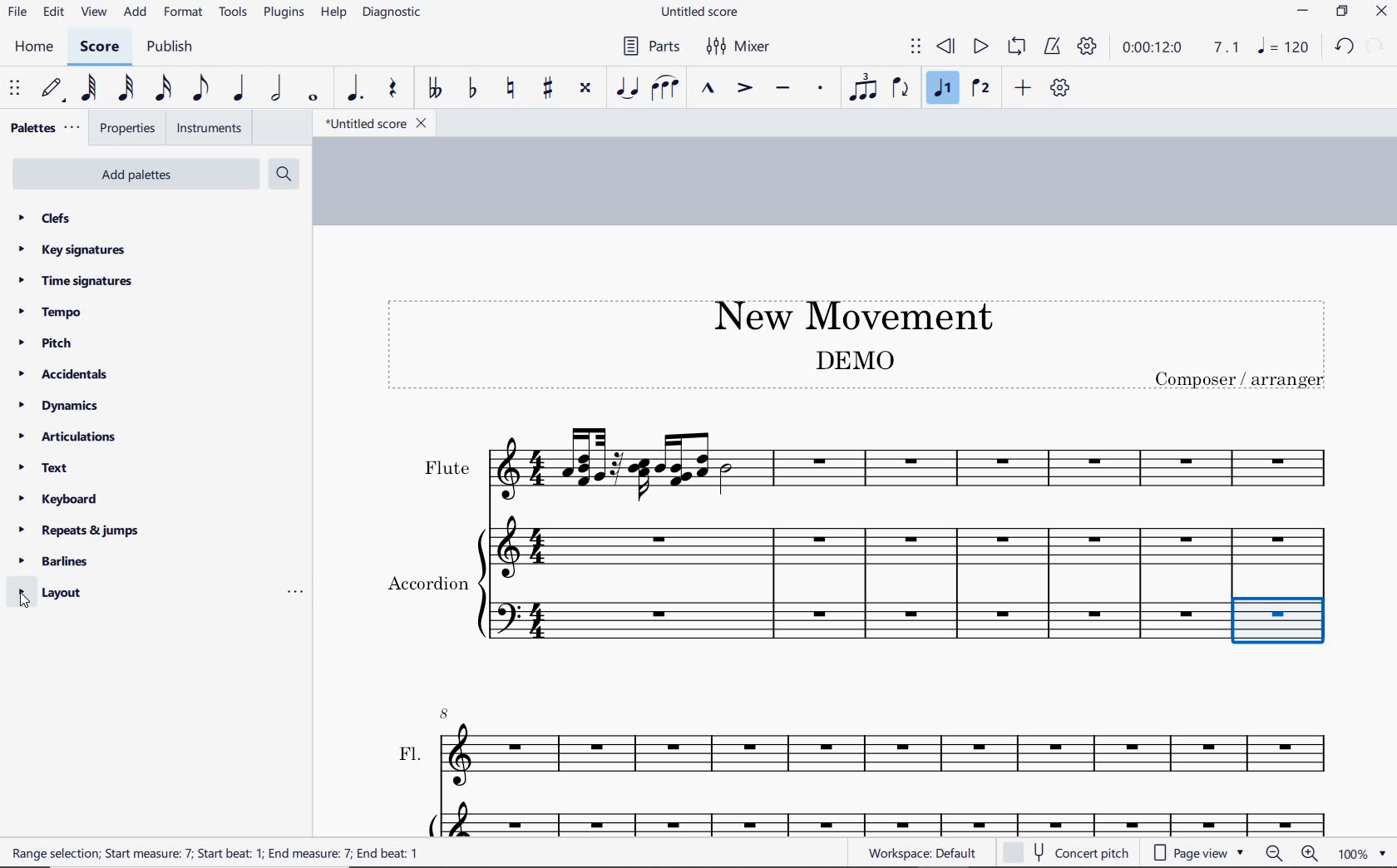 The image size is (1397, 868). Describe the element at coordinates (100, 49) in the screenshot. I see `score` at that location.